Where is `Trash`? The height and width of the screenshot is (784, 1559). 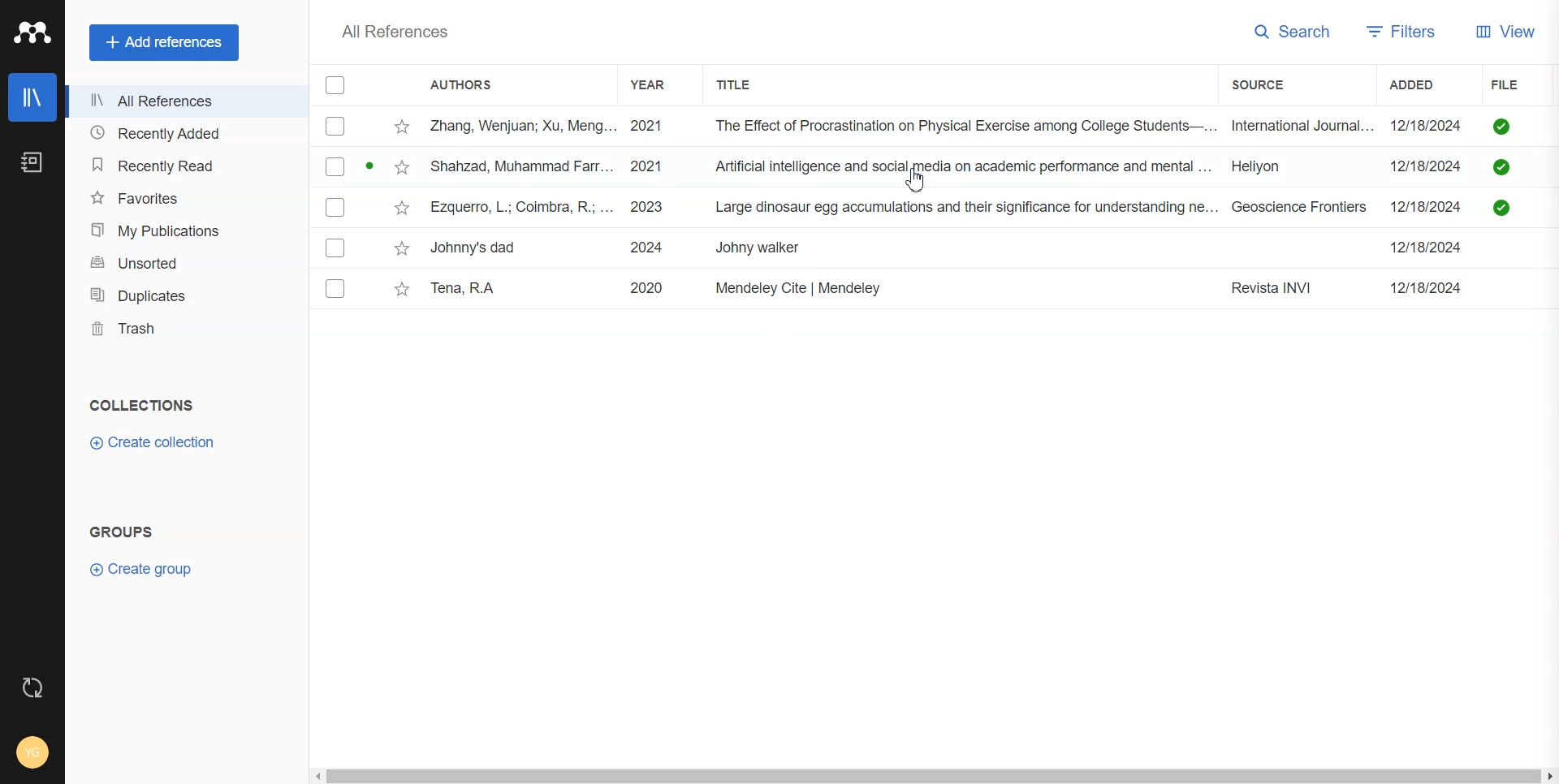
Trash is located at coordinates (184, 329).